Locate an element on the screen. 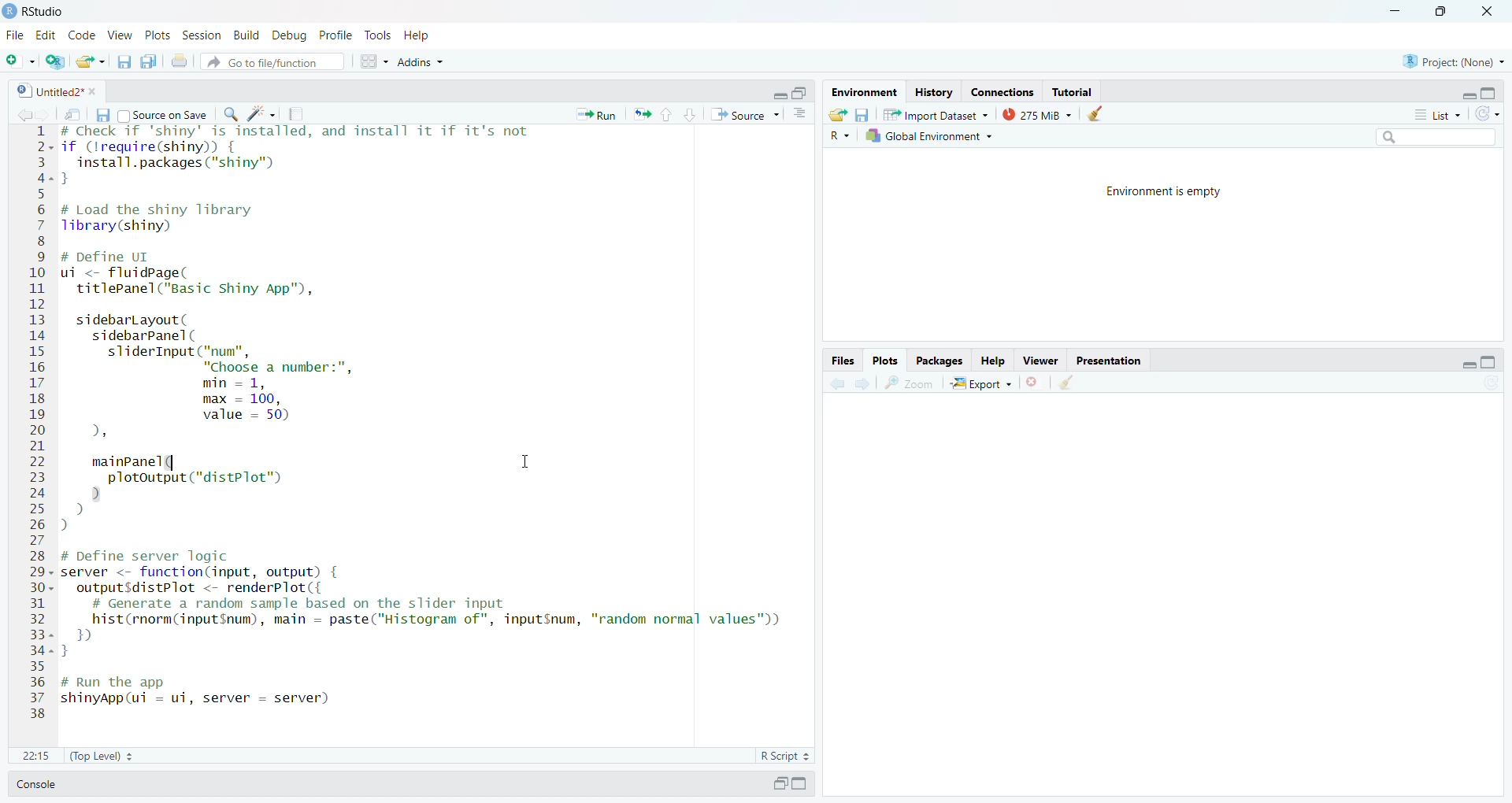 The width and height of the screenshot is (1512, 803). close is located at coordinates (96, 91).